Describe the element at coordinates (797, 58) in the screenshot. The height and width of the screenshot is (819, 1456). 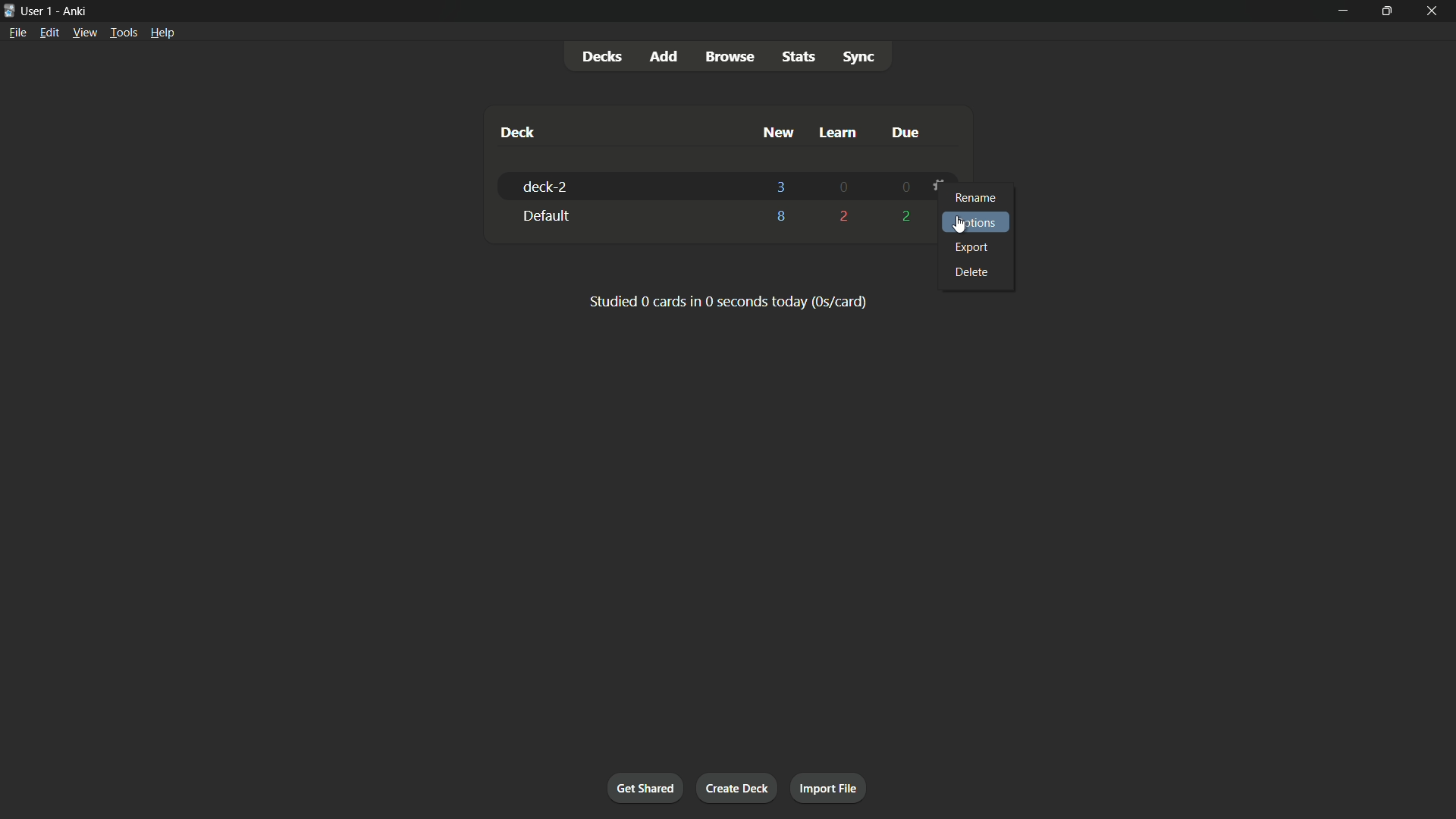
I see `stats` at that location.